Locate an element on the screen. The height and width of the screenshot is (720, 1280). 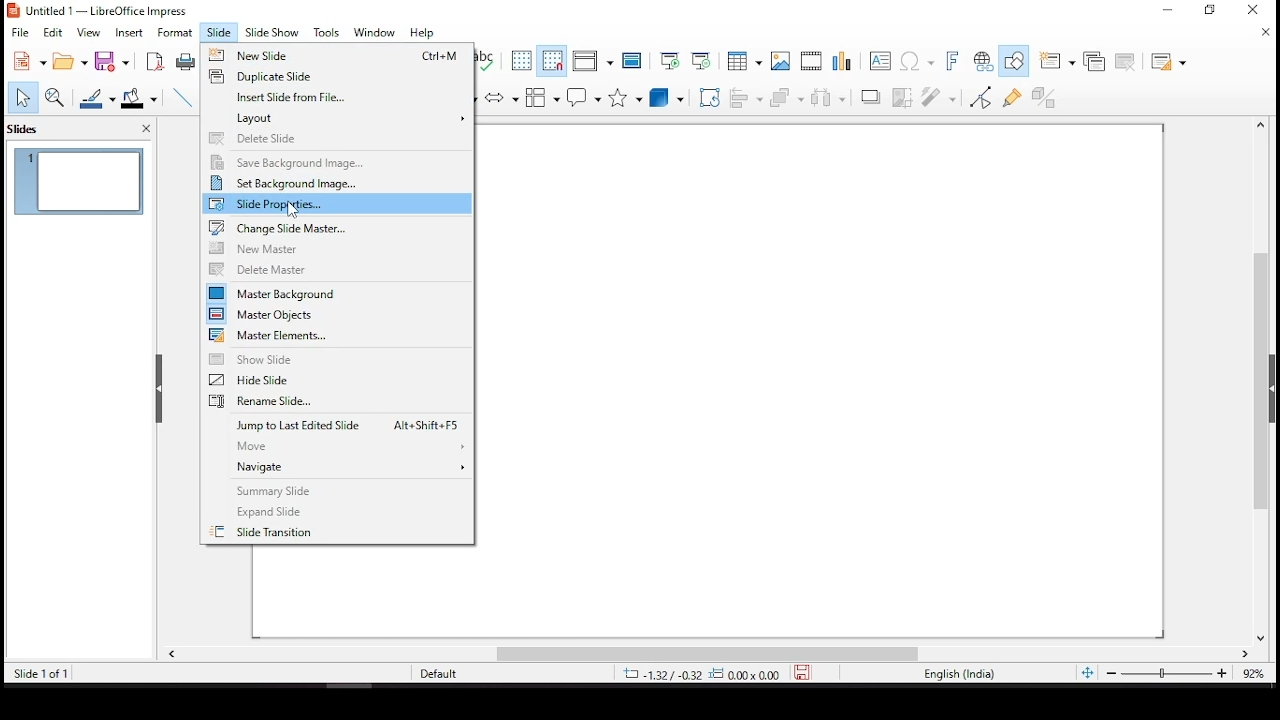
delete master is located at coordinates (336, 271).